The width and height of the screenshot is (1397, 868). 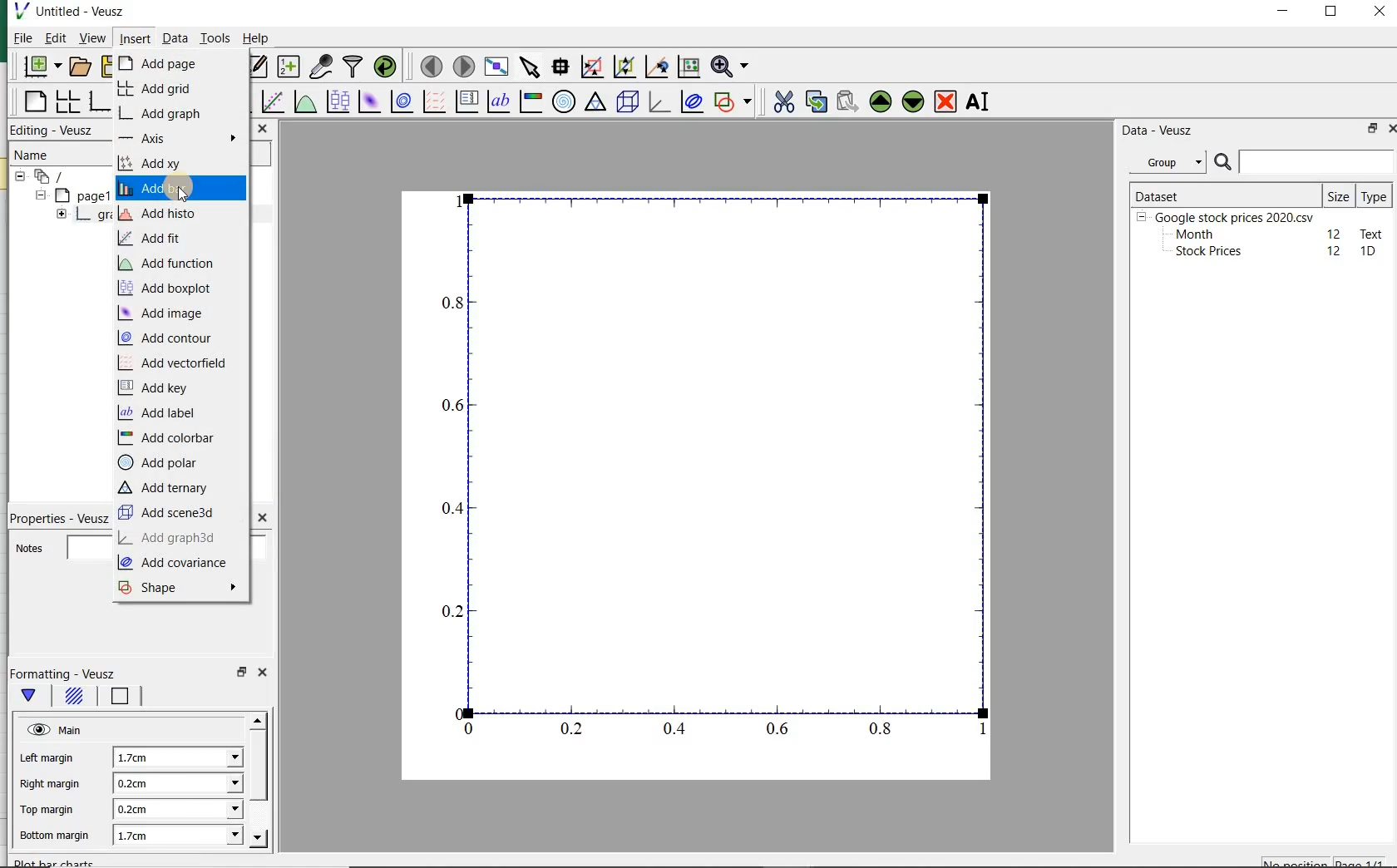 What do you see at coordinates (48, 760) in the screenshot?
I see `Left margin` at bounding box center [48, 760].